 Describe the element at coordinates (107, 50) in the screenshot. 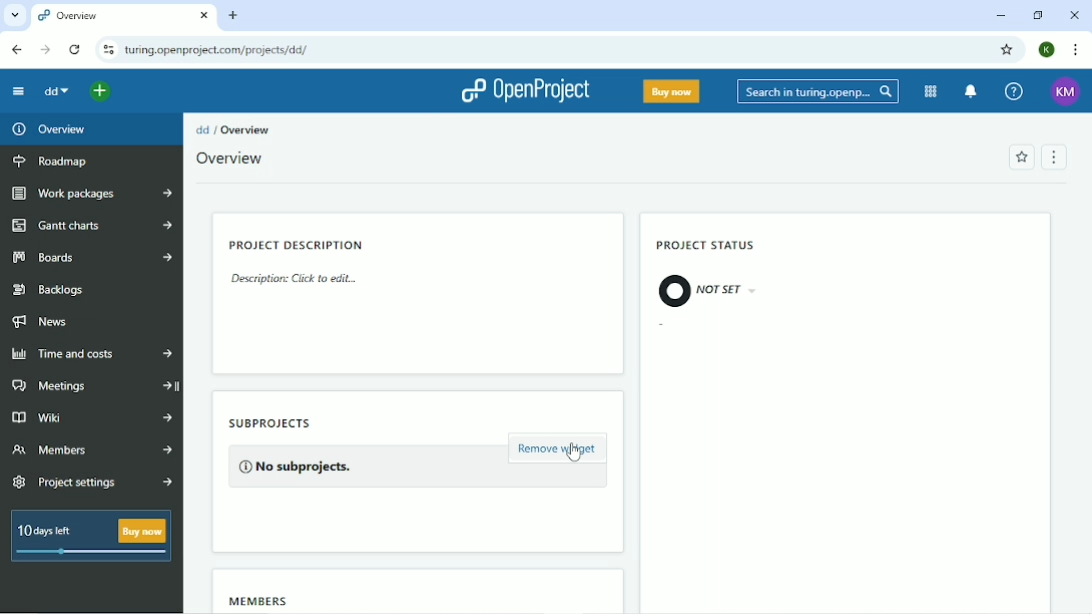

I see `View site information` at that location.